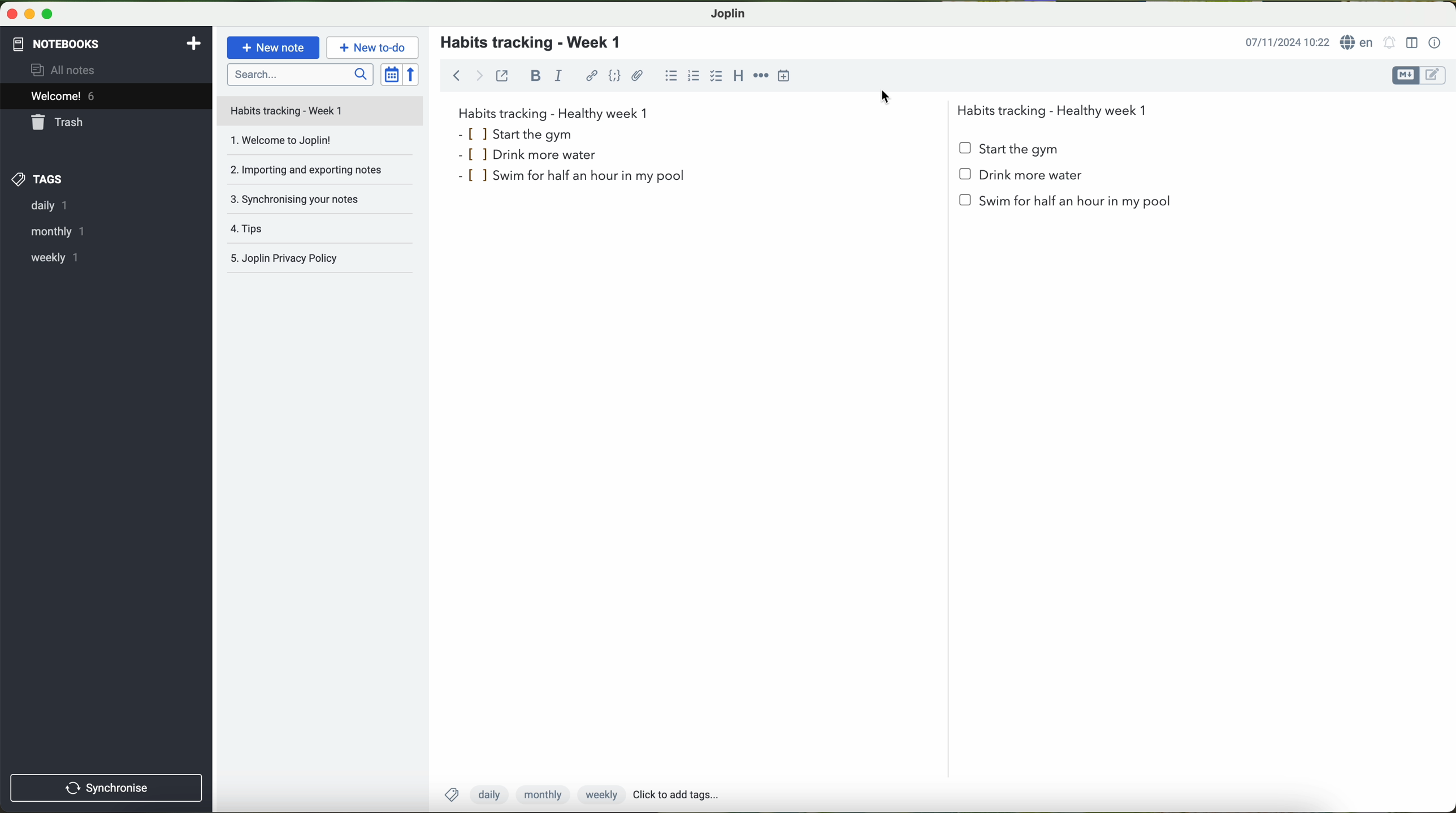 The image size is (1456, 813). What do you see at coordinates (47, 206) in the screenshot?
I see `daily 1` at bounding box center [47, 206].